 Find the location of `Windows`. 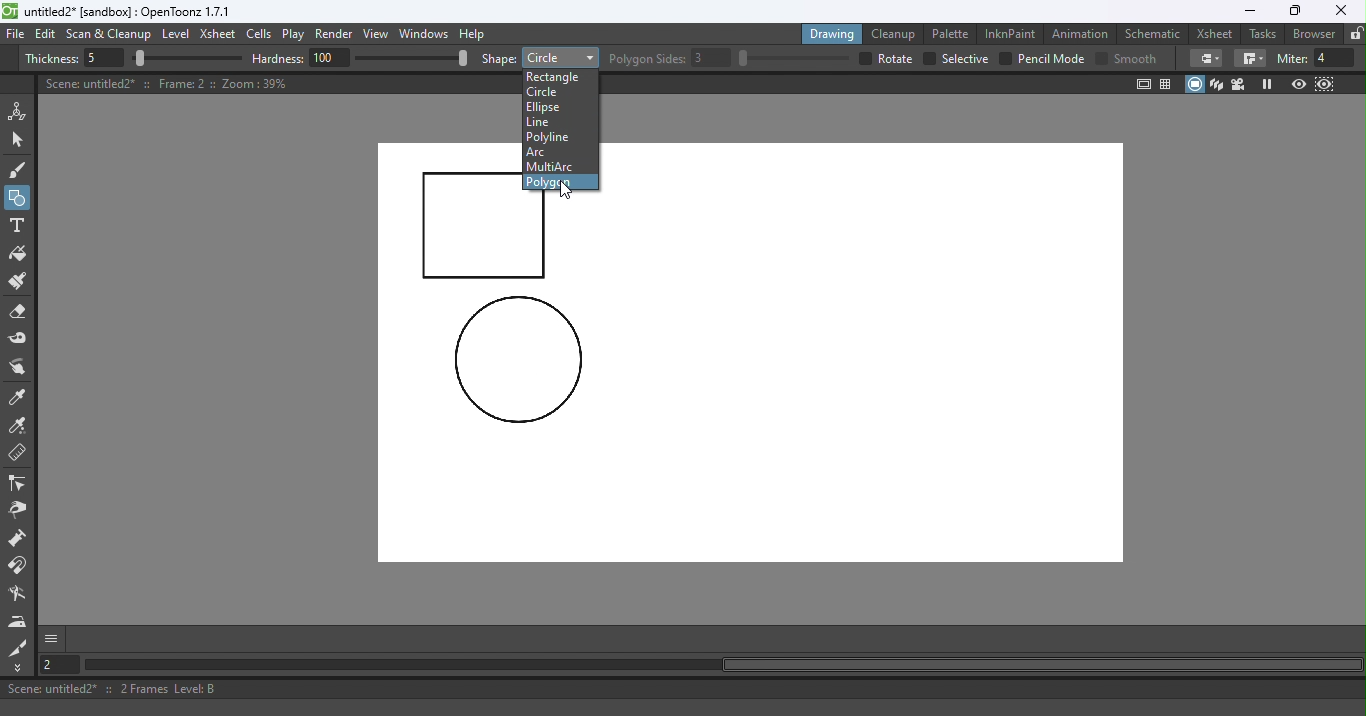

Windows is located at coordinates (425, 35).